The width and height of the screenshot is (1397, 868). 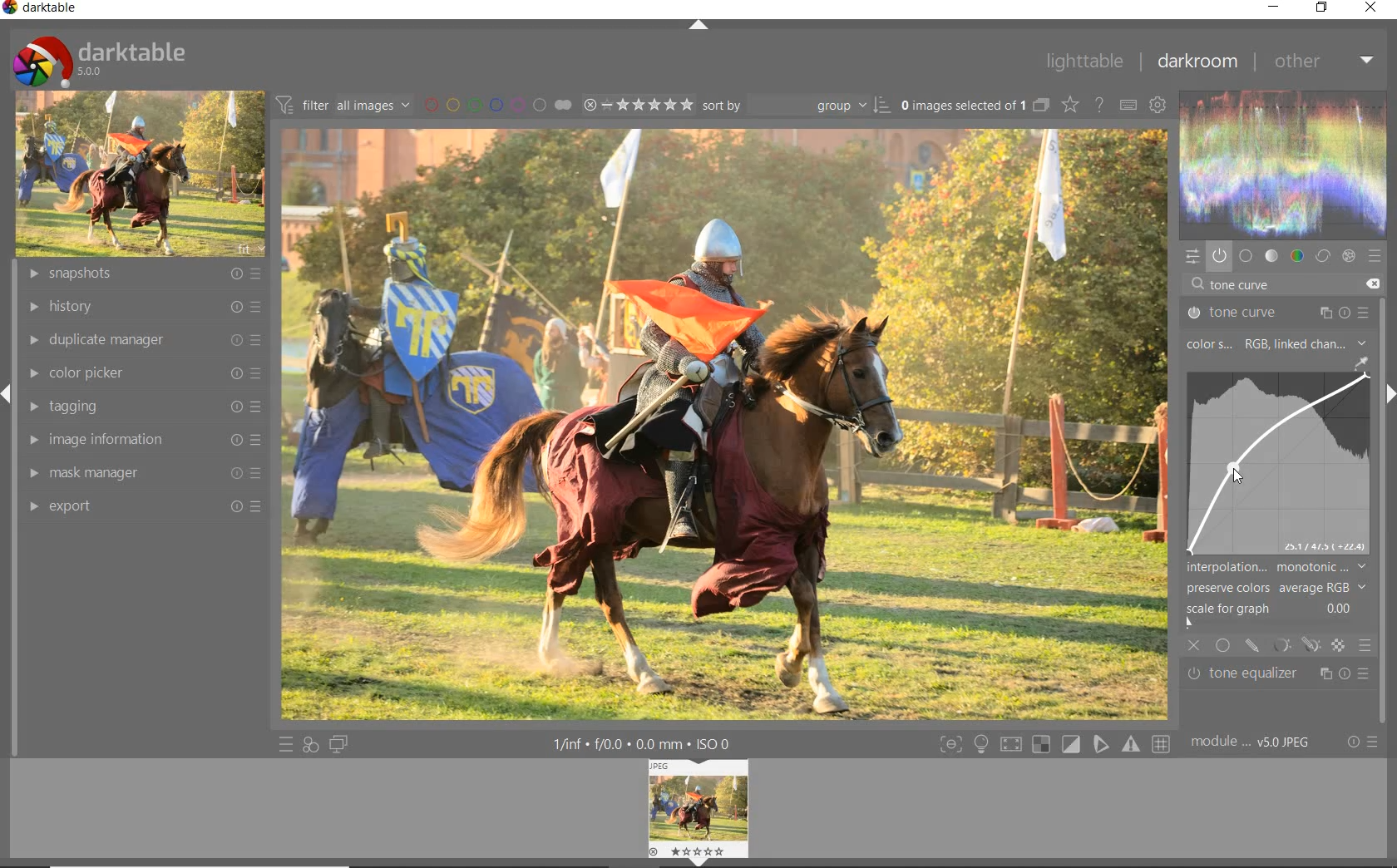 I want to click on correct, so click(x=1323, y=256).